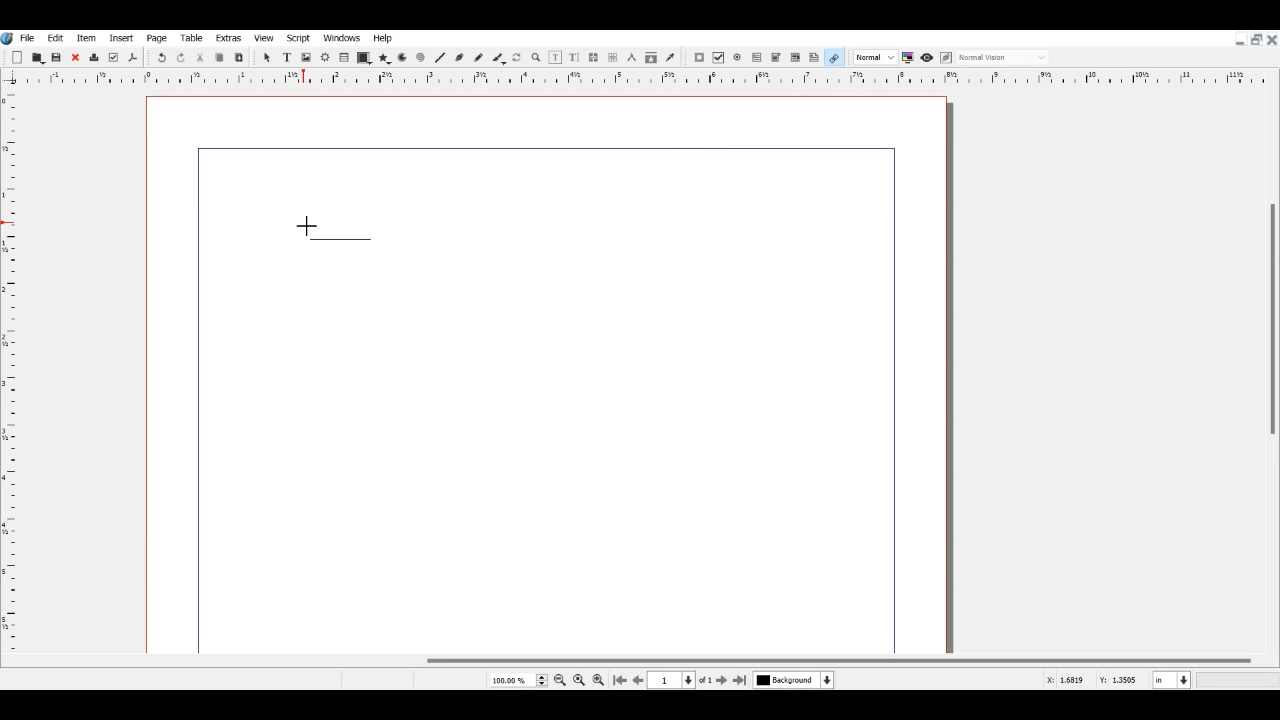 Image resolution: width=1280 pixels, height=720 pixels. Describe the element at coordinates (631, 58) in the screenshot. I see `Measurements` at that location.